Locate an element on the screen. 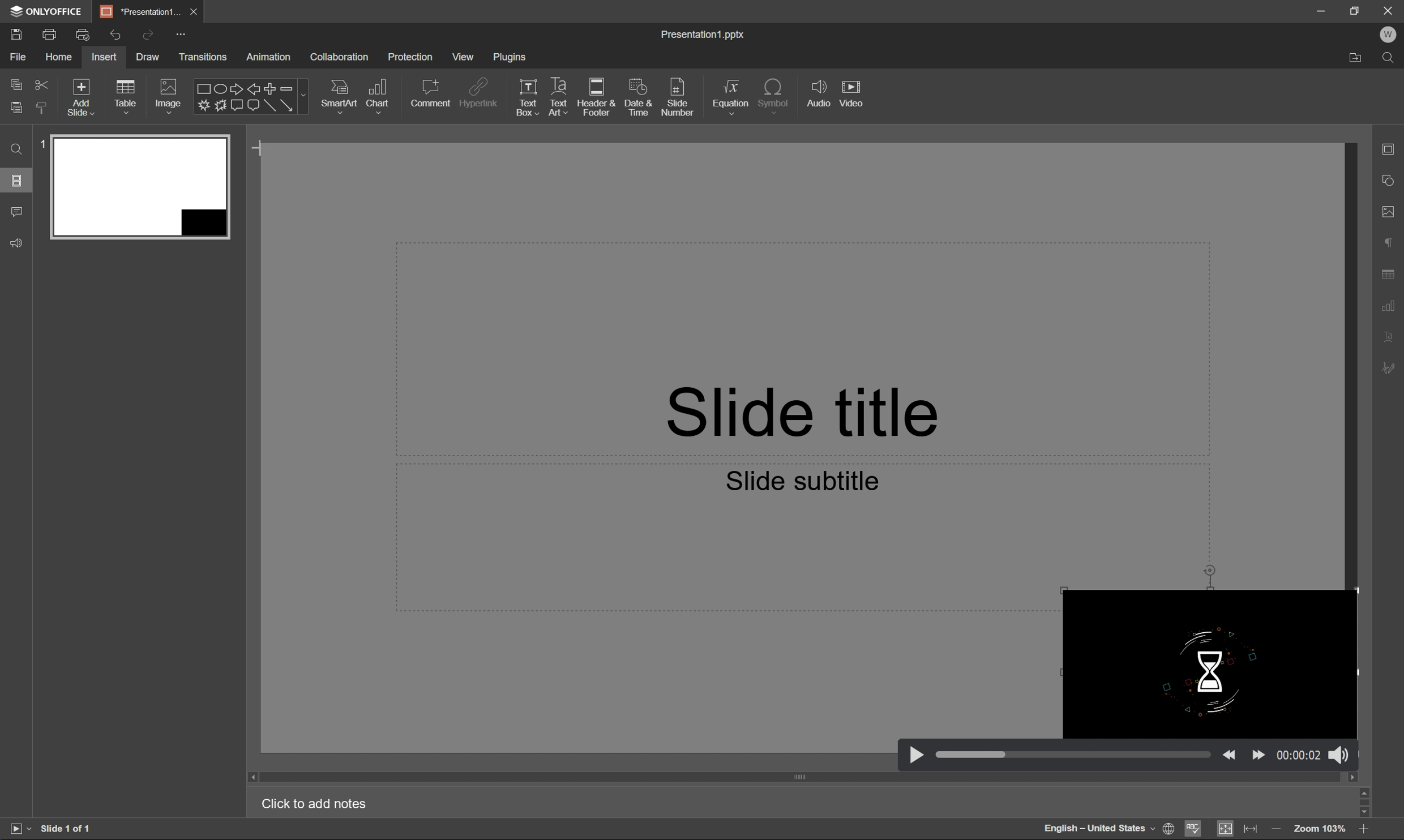 This screenshot has width=1404, height=840. shapes is located at coordinates (250, 96).